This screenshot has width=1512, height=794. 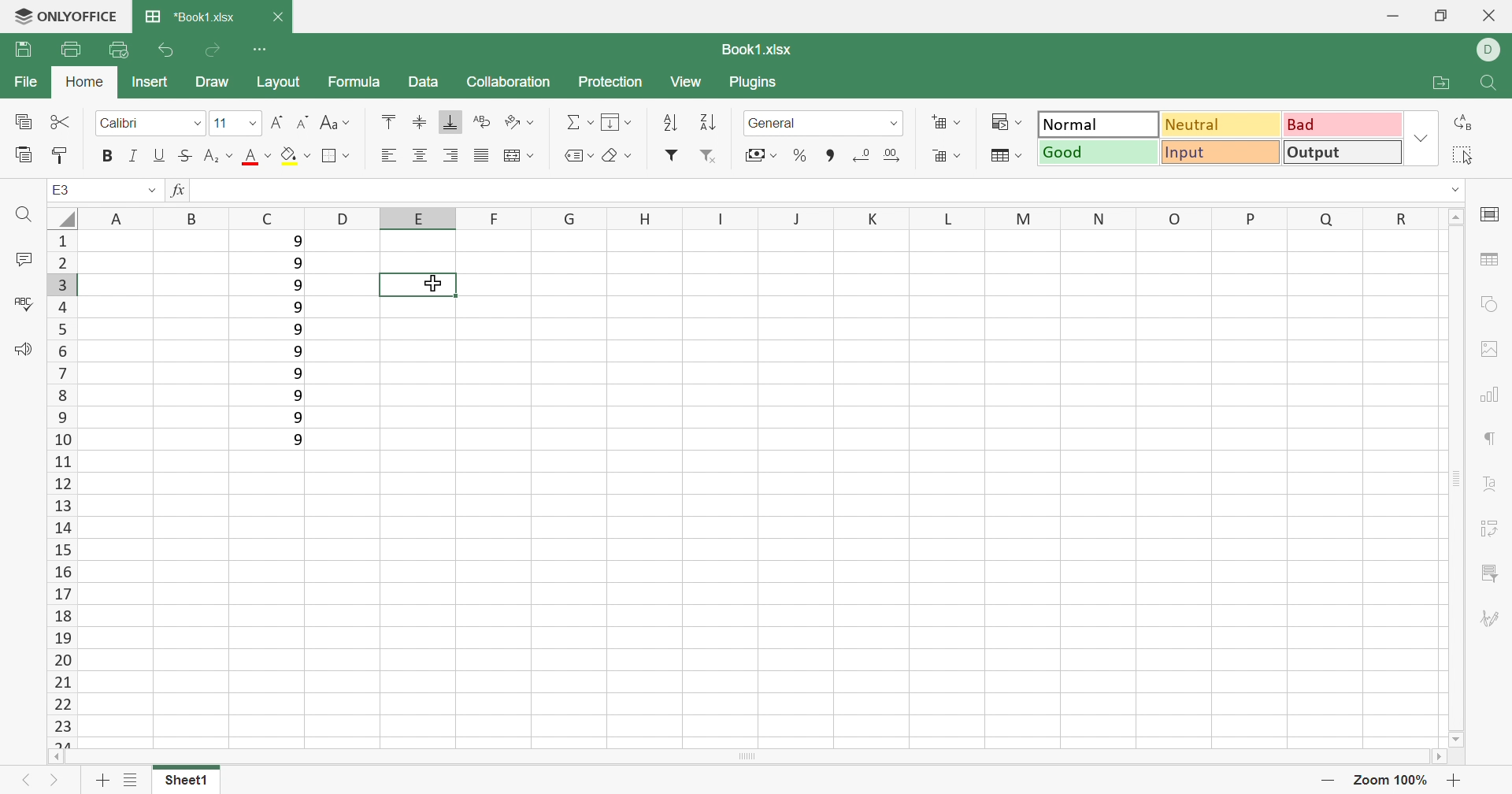 What do you see at coordinates (1100, 154) in the screenshot?
I see `Good` at bounding box center [1100, 154].